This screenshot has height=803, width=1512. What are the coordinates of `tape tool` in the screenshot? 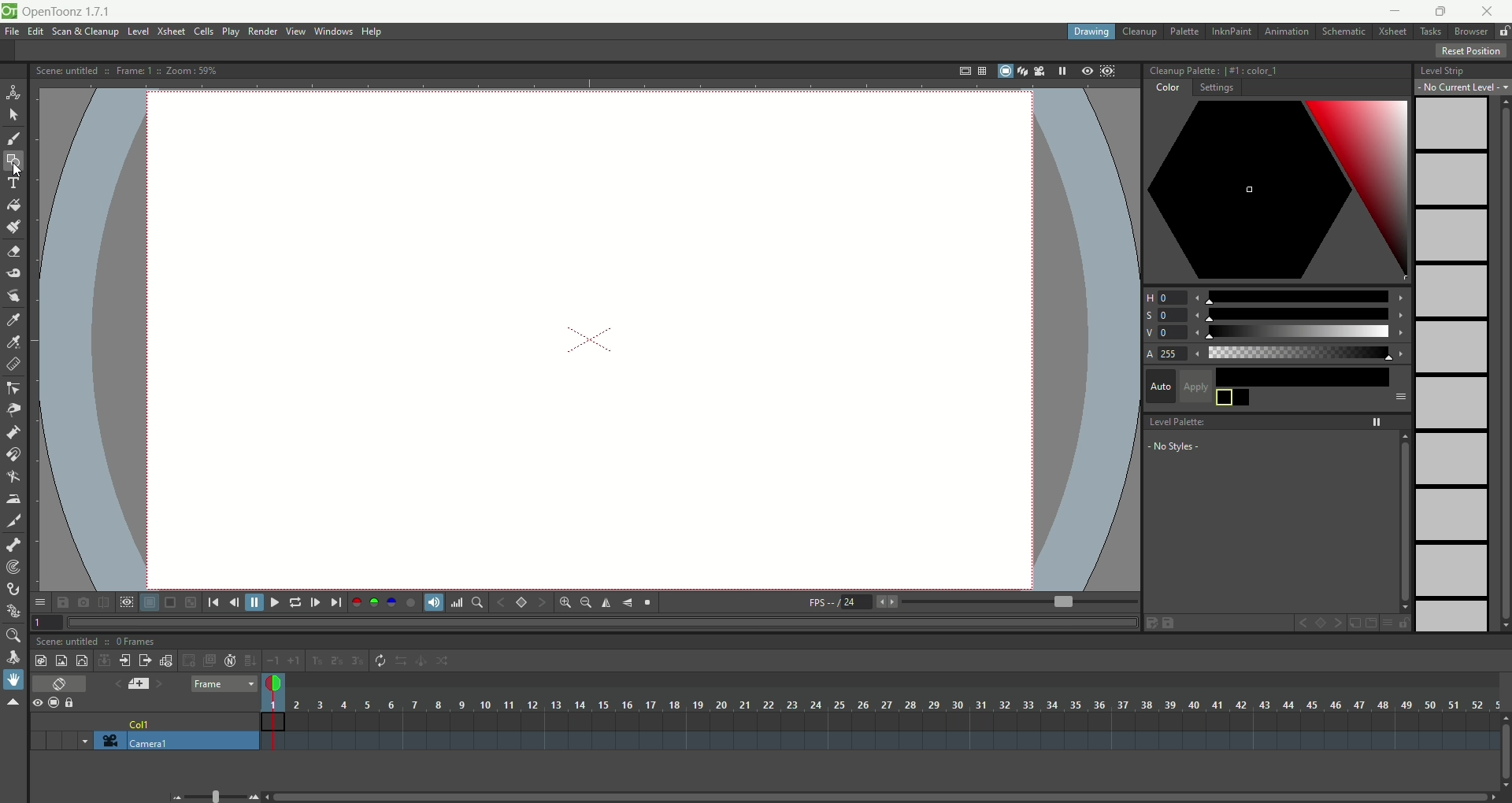 It's located at (13, 273).